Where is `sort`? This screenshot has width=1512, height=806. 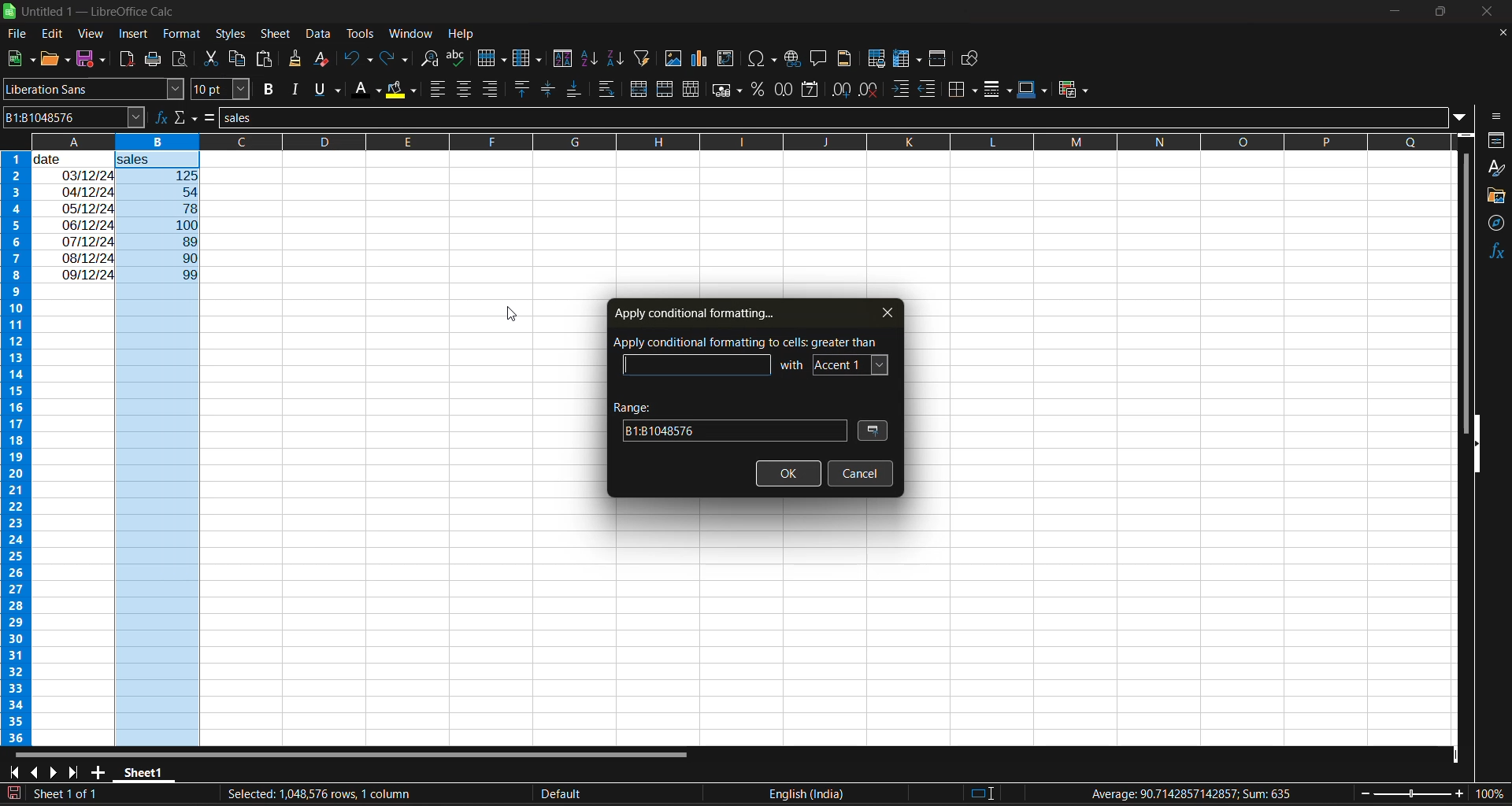
sort is located at coordinates (562, 58).